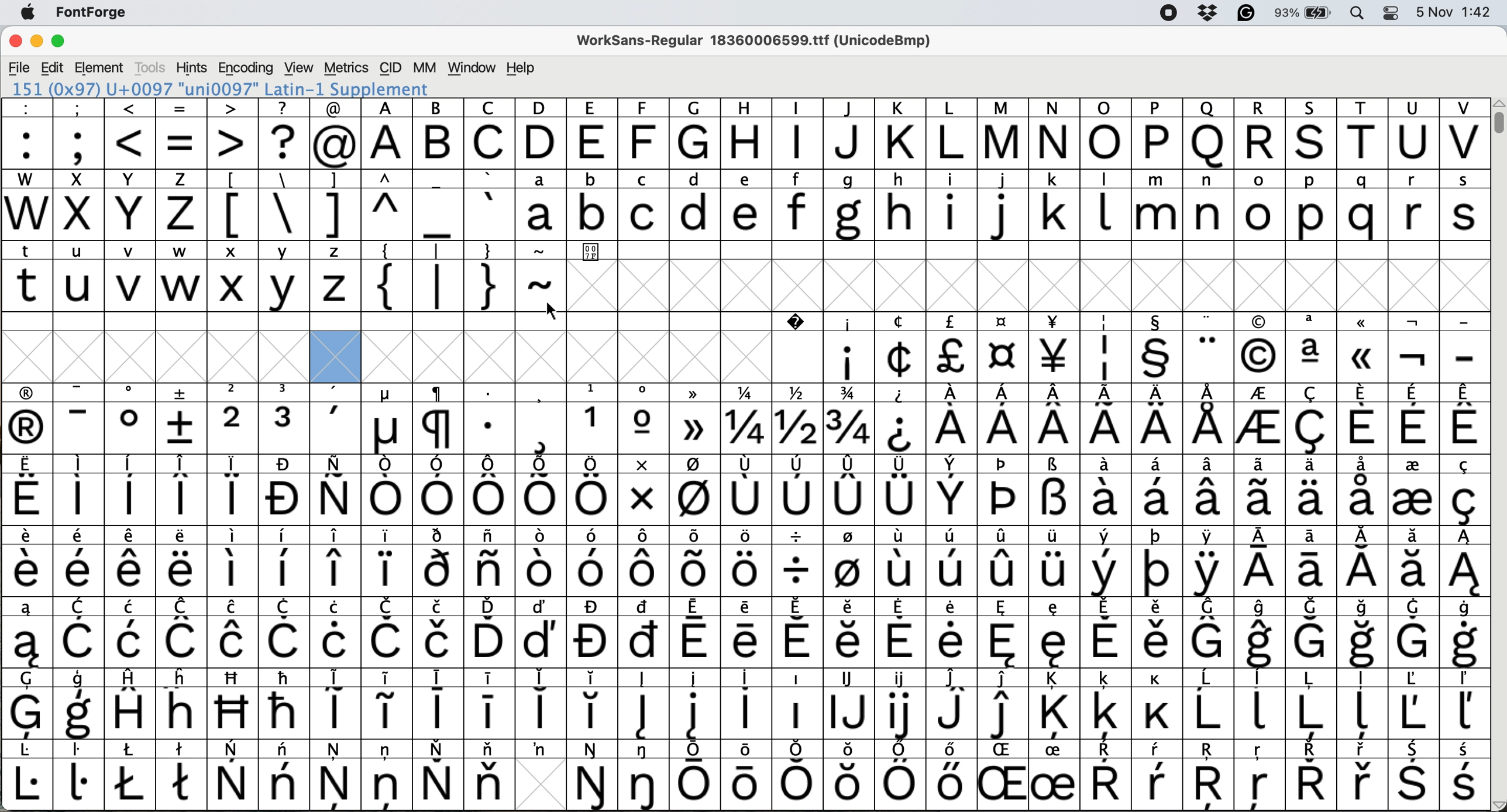 The width and height of the screenshot is (1507, 812). I want to click on 1/2, so click(799, 418).